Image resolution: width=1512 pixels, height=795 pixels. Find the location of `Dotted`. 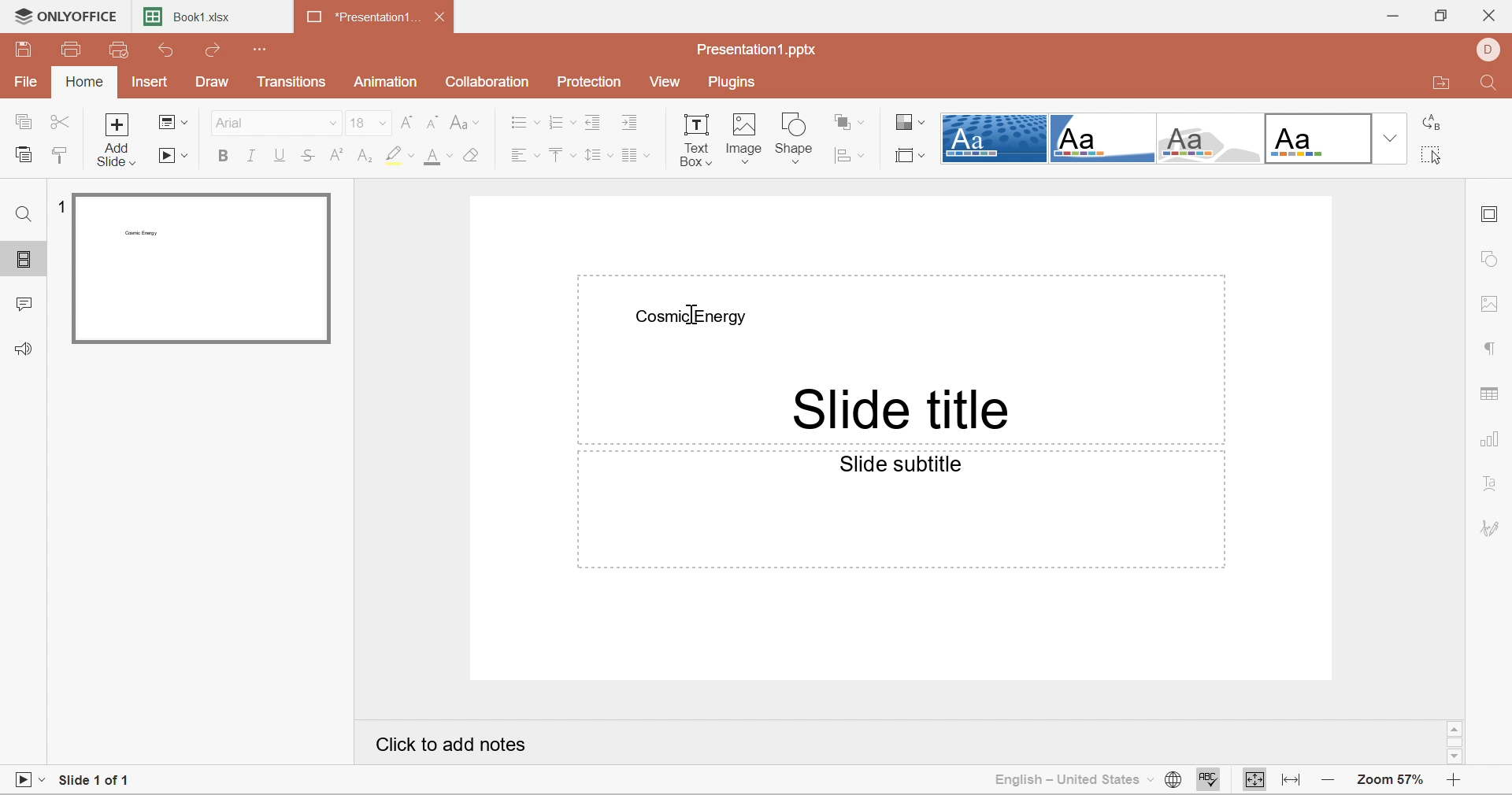

Dotted is located at coordinates (994, 138).